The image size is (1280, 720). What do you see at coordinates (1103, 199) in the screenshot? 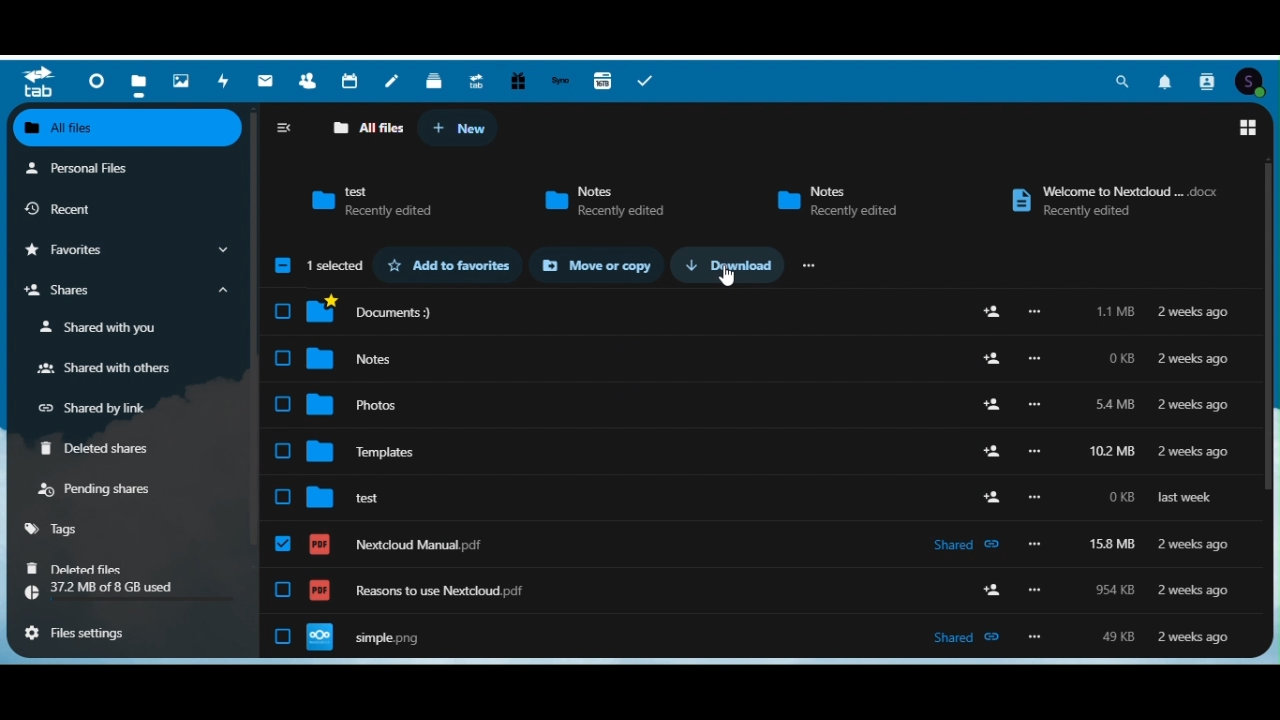
I see `Welcome to Nextcloud...docx Recently edited.` at bounding box center [1103, 199].